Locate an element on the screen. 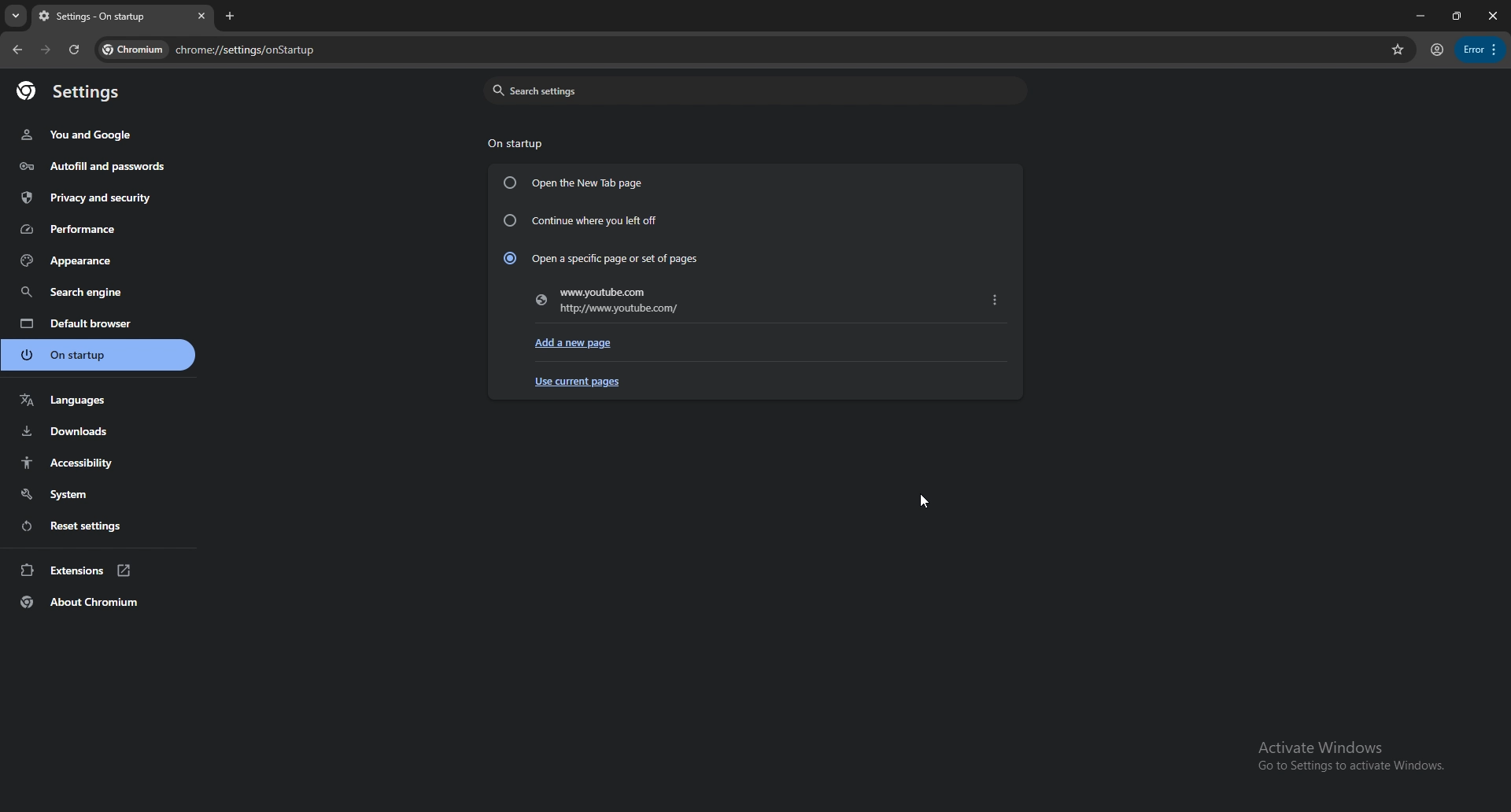 This screenshot has width=1511, height=812. cursor is located at coordinates (922, 503).